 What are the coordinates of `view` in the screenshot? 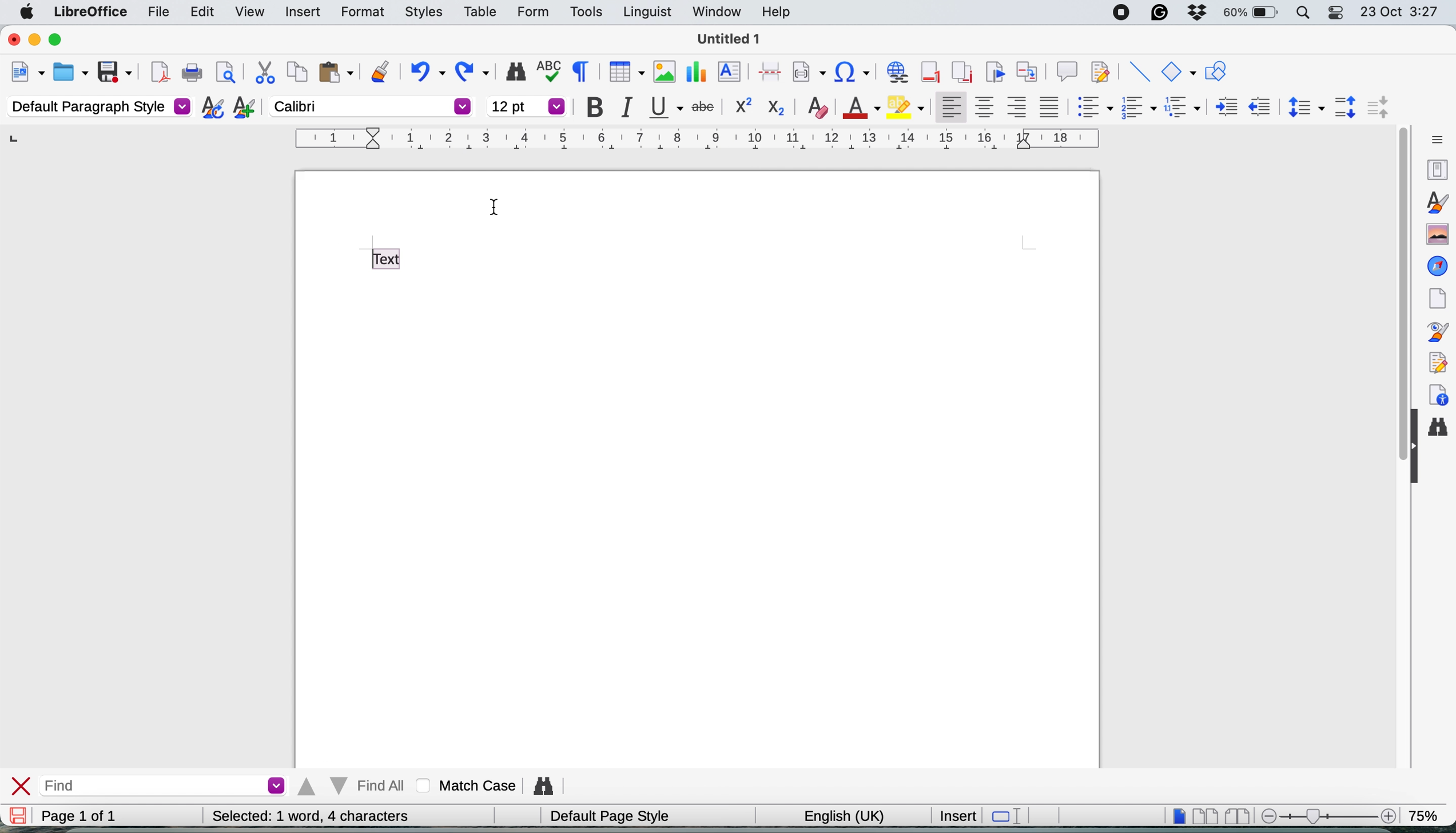 It's located at (251, 11).